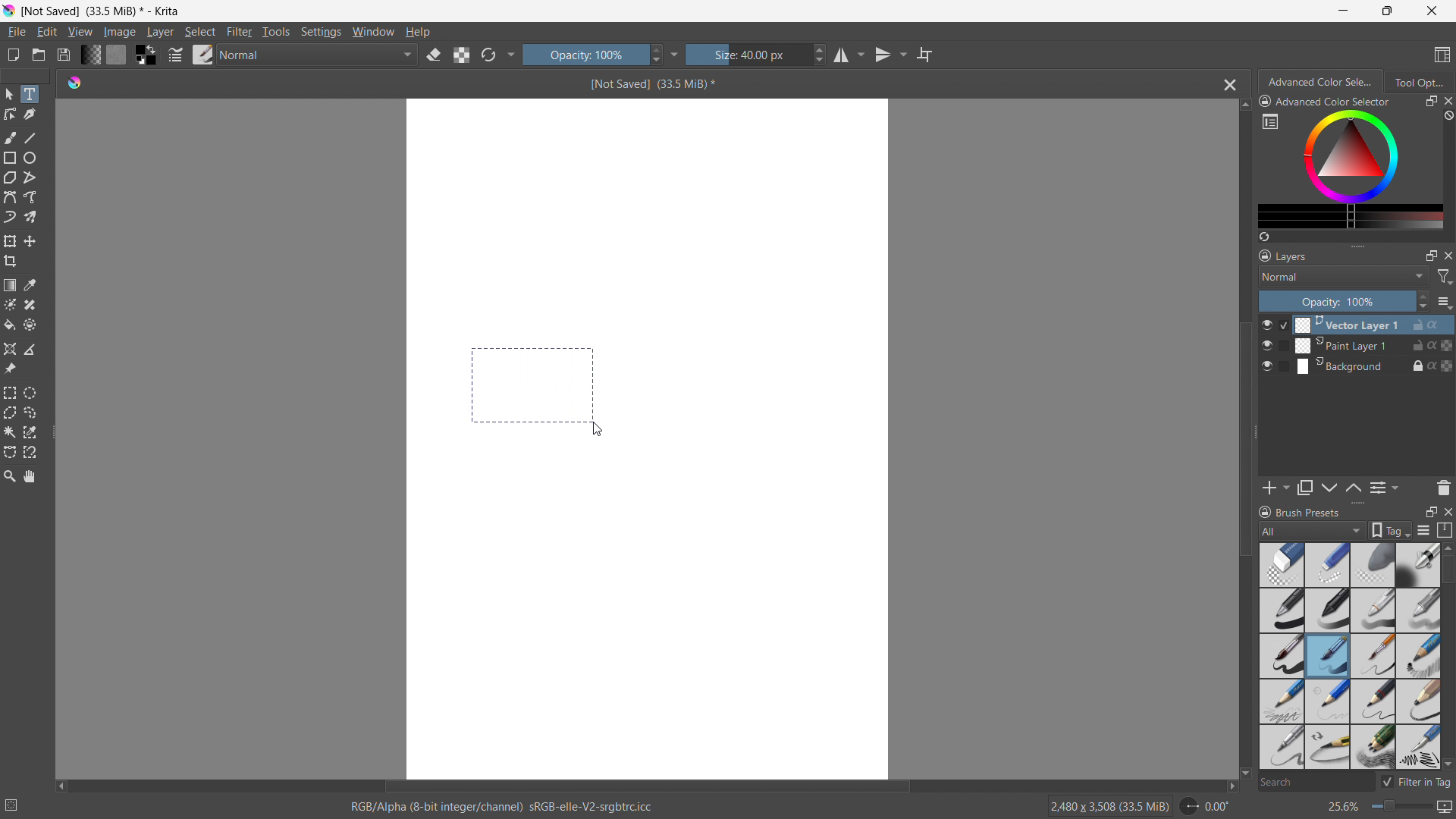  Describe the element at coordinates (1283, 255) in the screenshot. I see `layers` at that location.